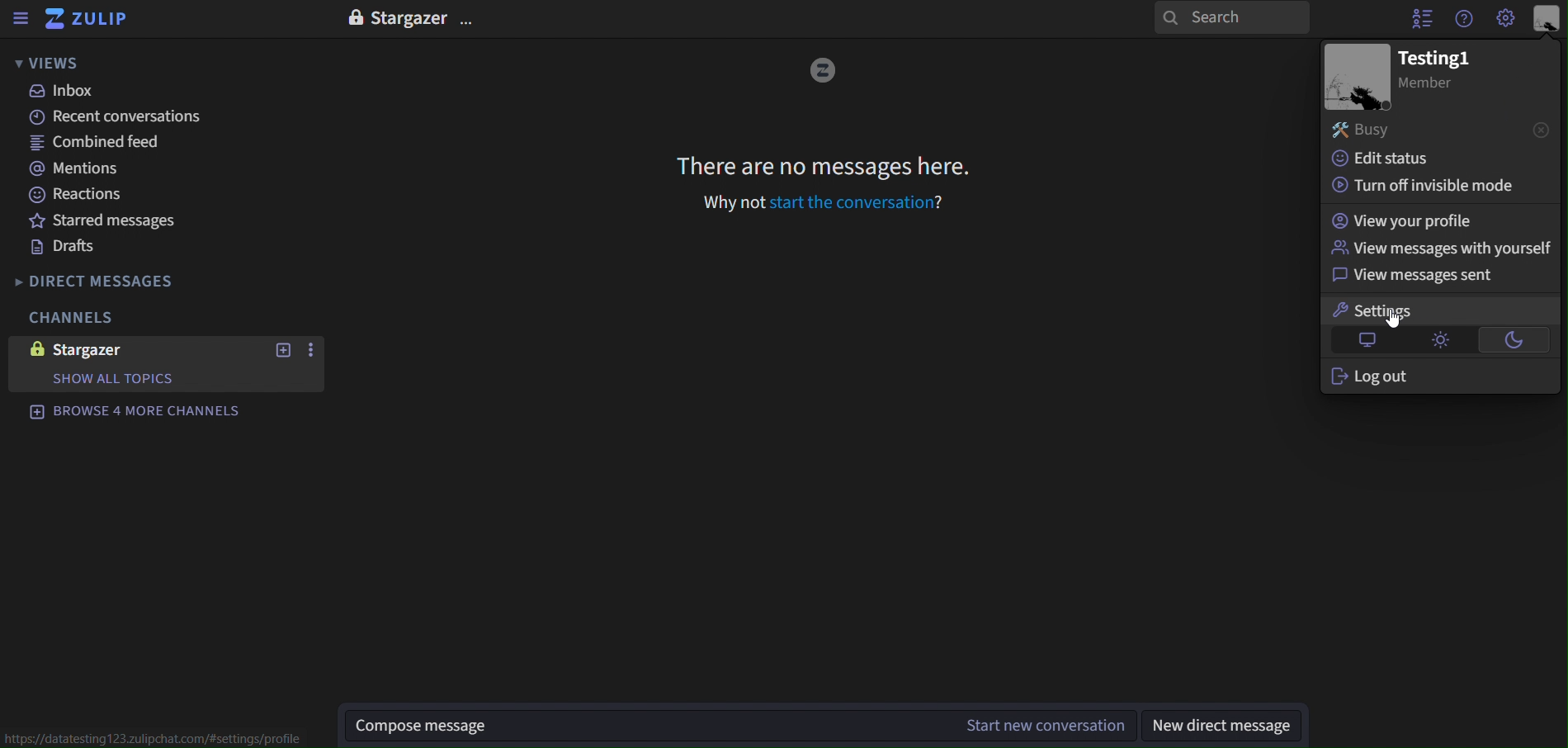  I want to click on mentions, so click(83, 168).